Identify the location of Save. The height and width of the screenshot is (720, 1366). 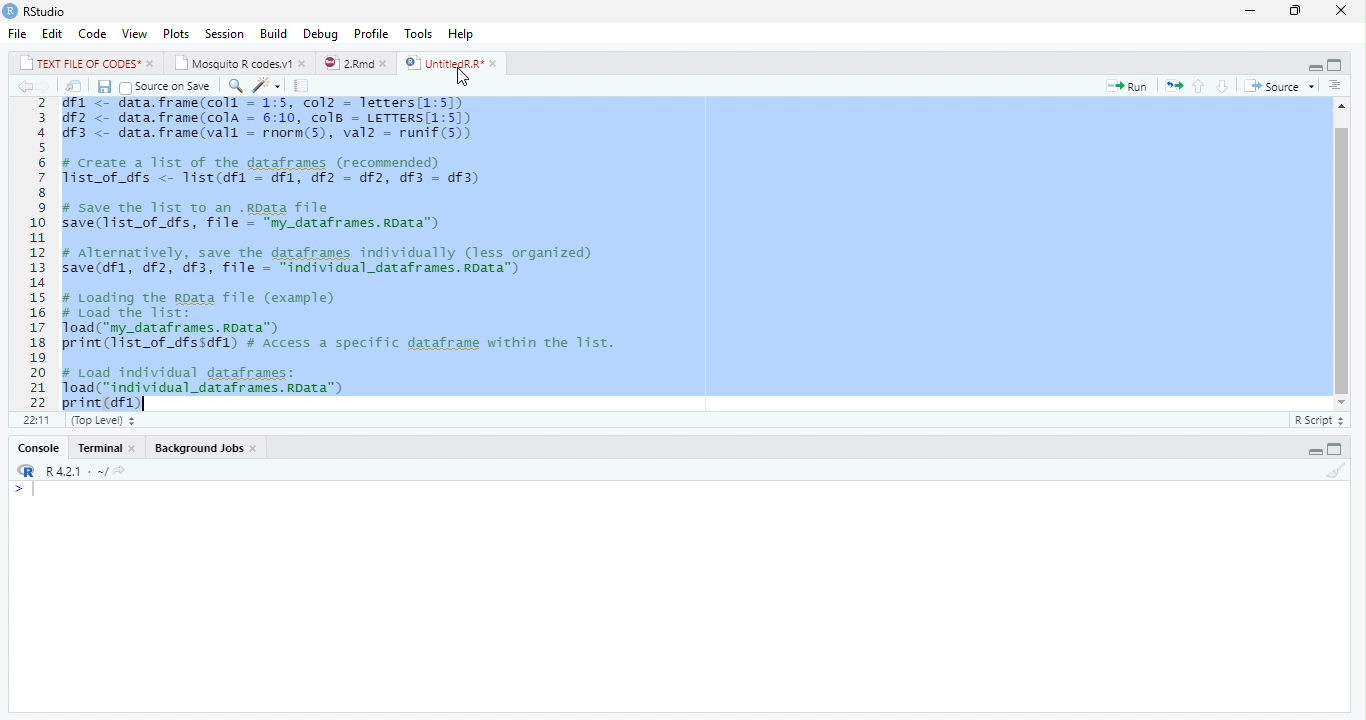
(105, 87).